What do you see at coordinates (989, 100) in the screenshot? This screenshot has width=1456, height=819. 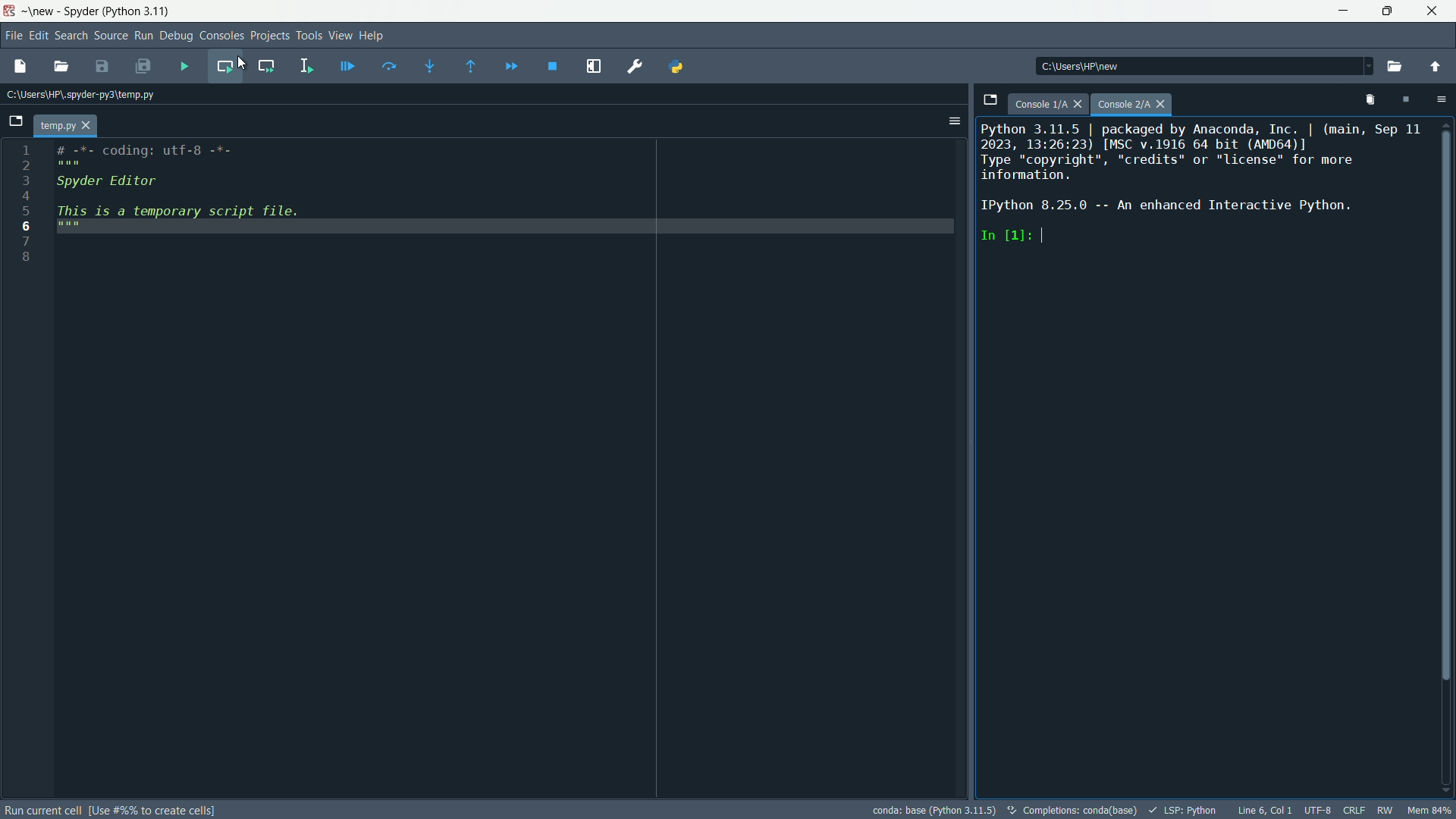 I see `browse tabs` at bounding box center [989, 100].